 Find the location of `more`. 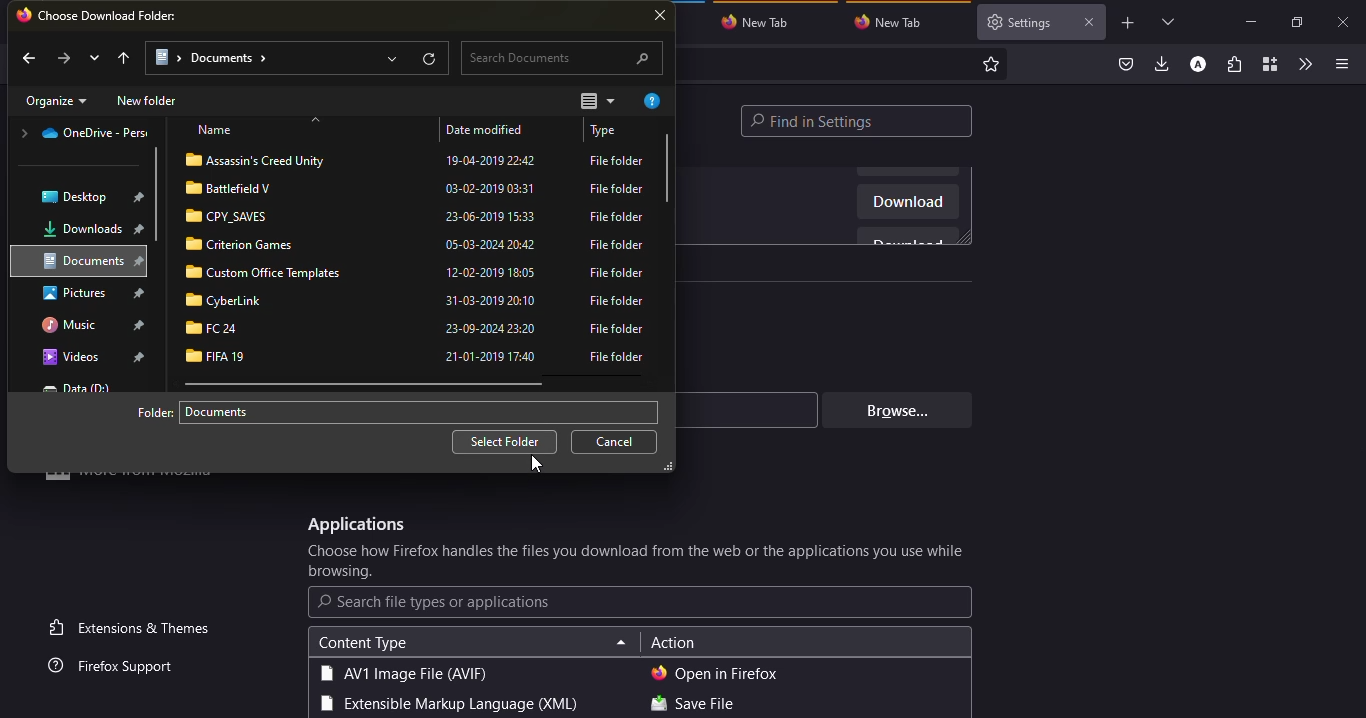

more is located at coordinates (94, 58).